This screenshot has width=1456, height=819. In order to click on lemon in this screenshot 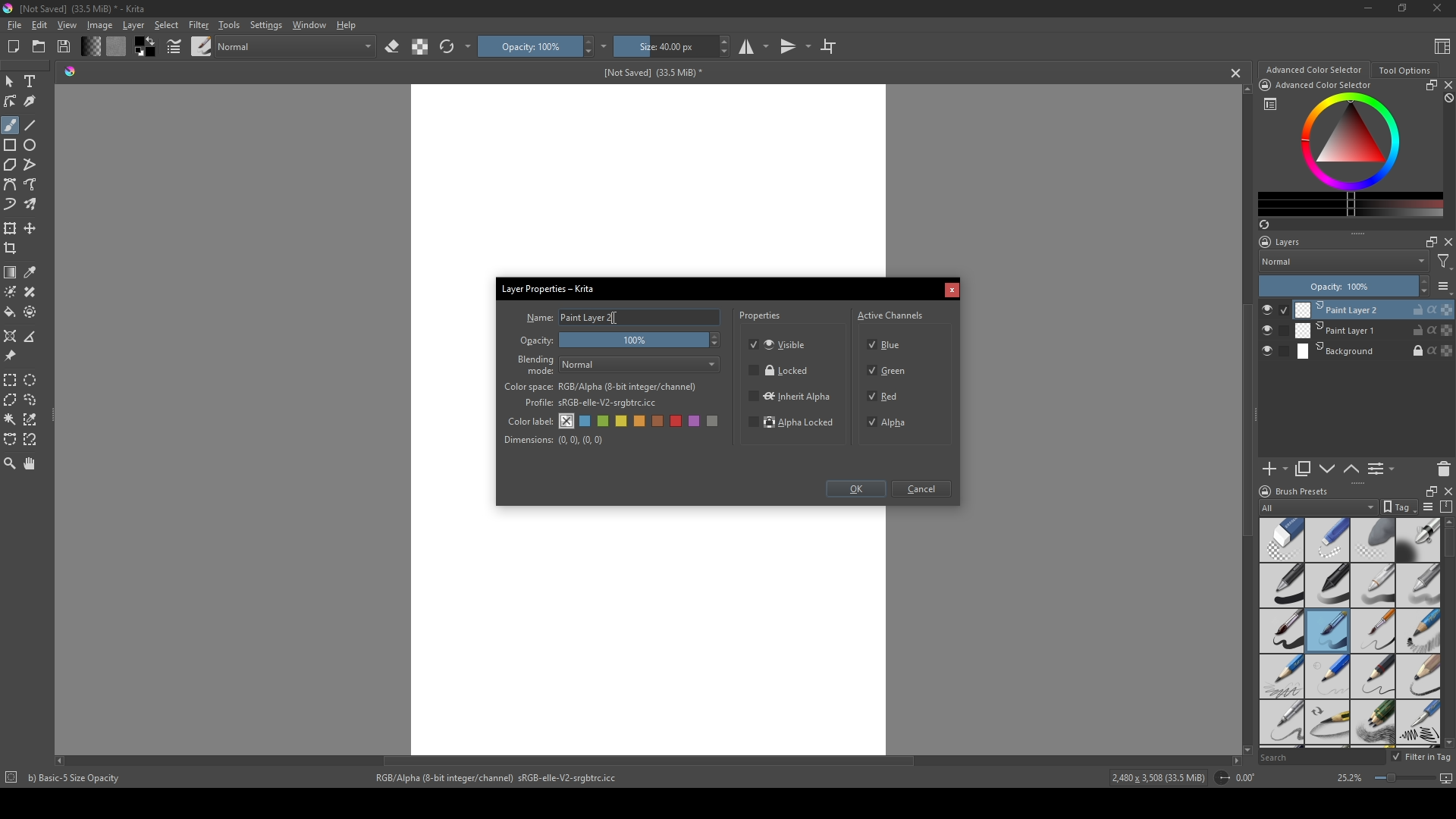, I will do `click(623, 421)`.